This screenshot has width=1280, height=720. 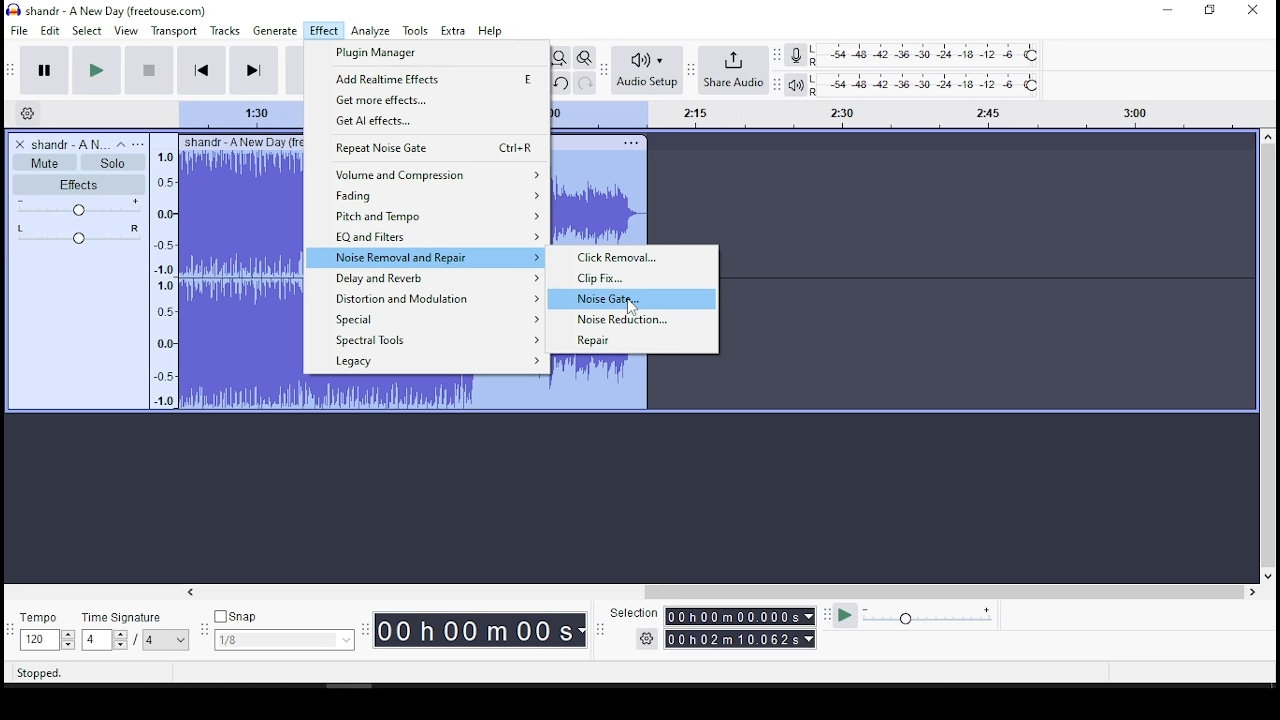 What do you see at coordinates (425, 256) in the screenshot?
I see `noise removal and repair` at bounding box center [425, 256].